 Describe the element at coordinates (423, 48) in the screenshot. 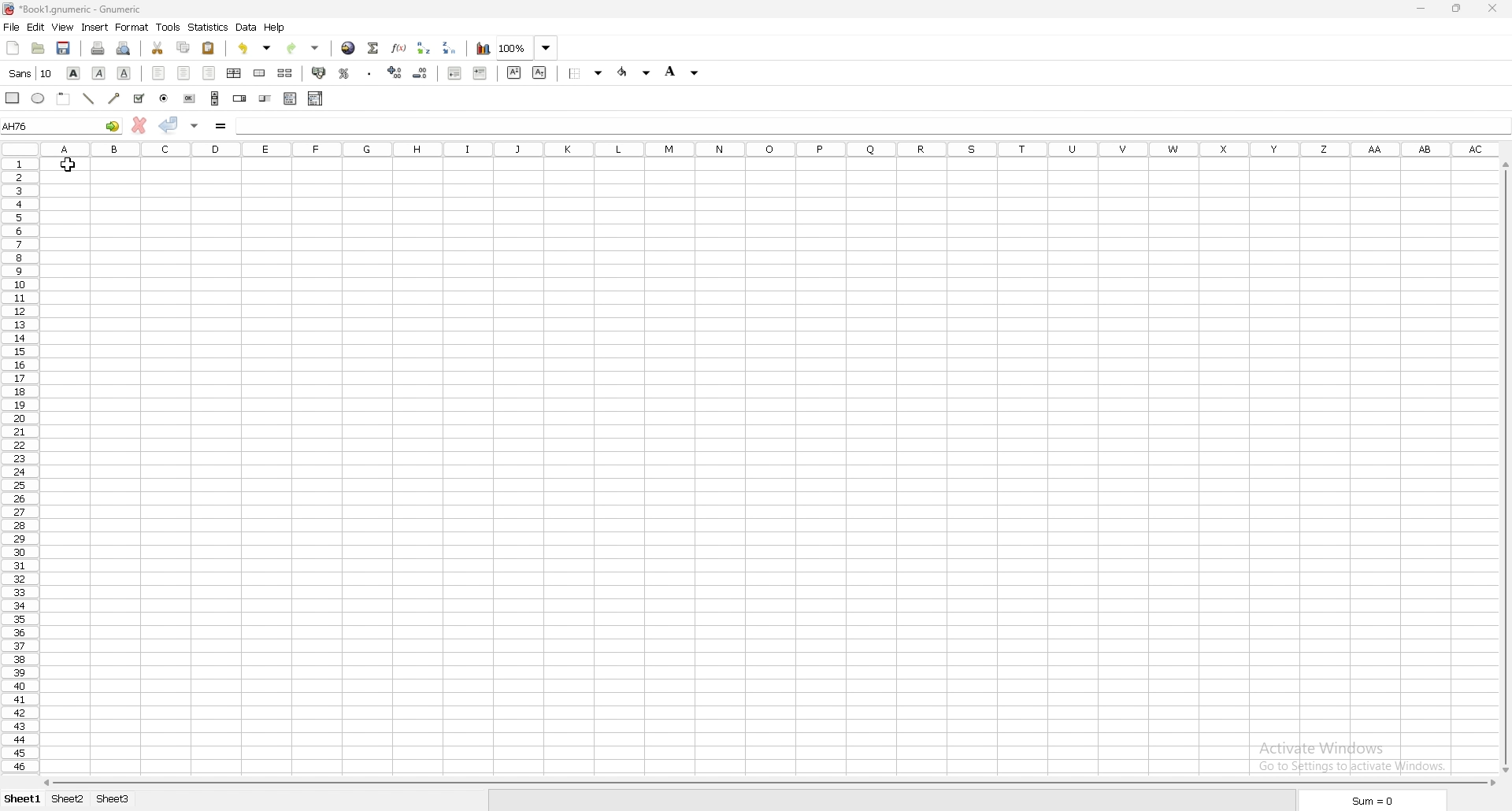

I see `sort ascending` at that location.